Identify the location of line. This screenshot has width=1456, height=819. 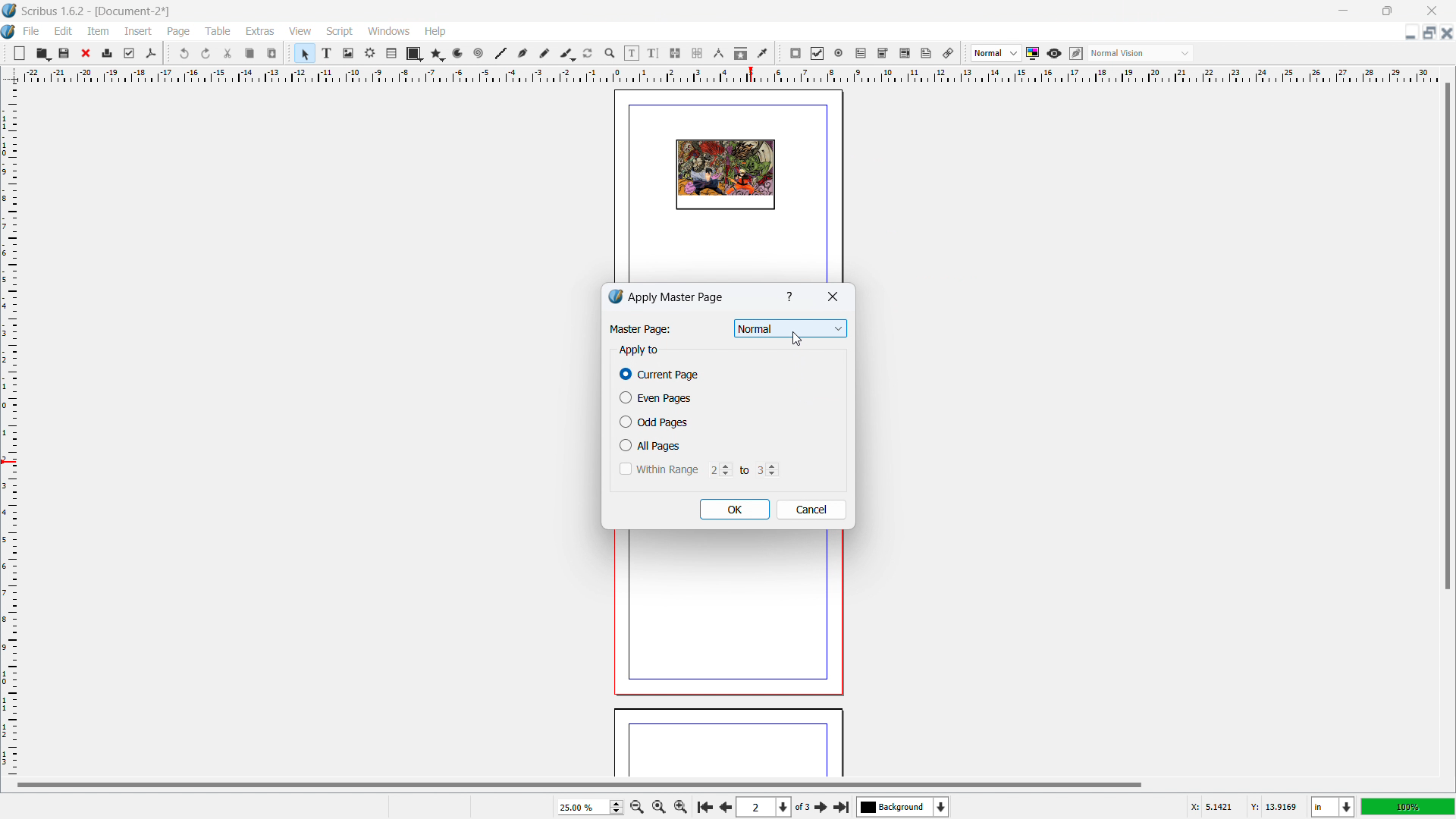
(500, 54).